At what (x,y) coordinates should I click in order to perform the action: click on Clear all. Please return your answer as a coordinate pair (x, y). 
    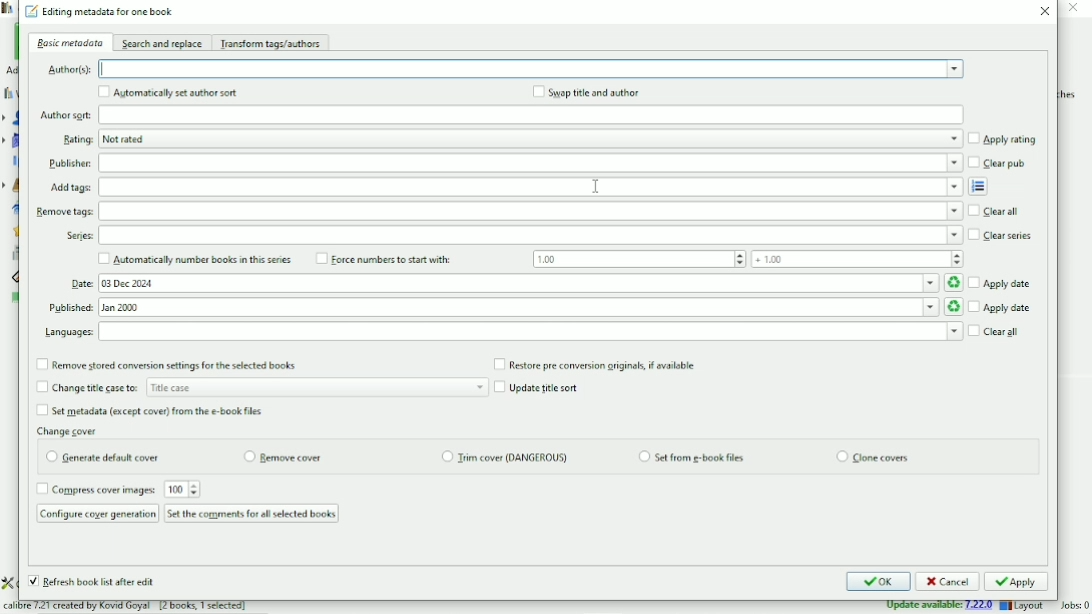
    Looking at the image, I should click on (997, 212).